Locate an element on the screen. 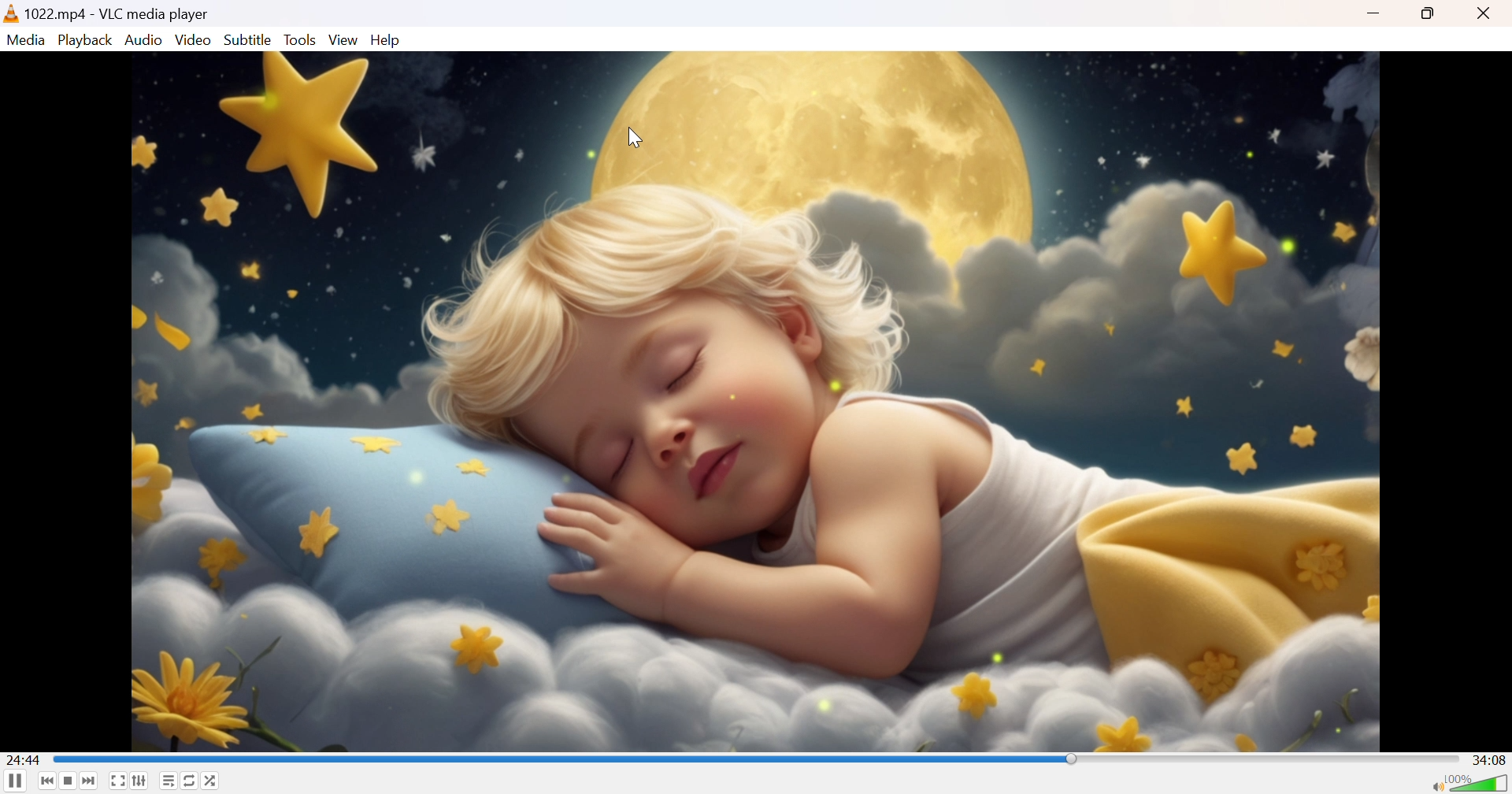 The height and width of the screenshot is (794, 1512). Minimize is located at coordinates (1373, 15).